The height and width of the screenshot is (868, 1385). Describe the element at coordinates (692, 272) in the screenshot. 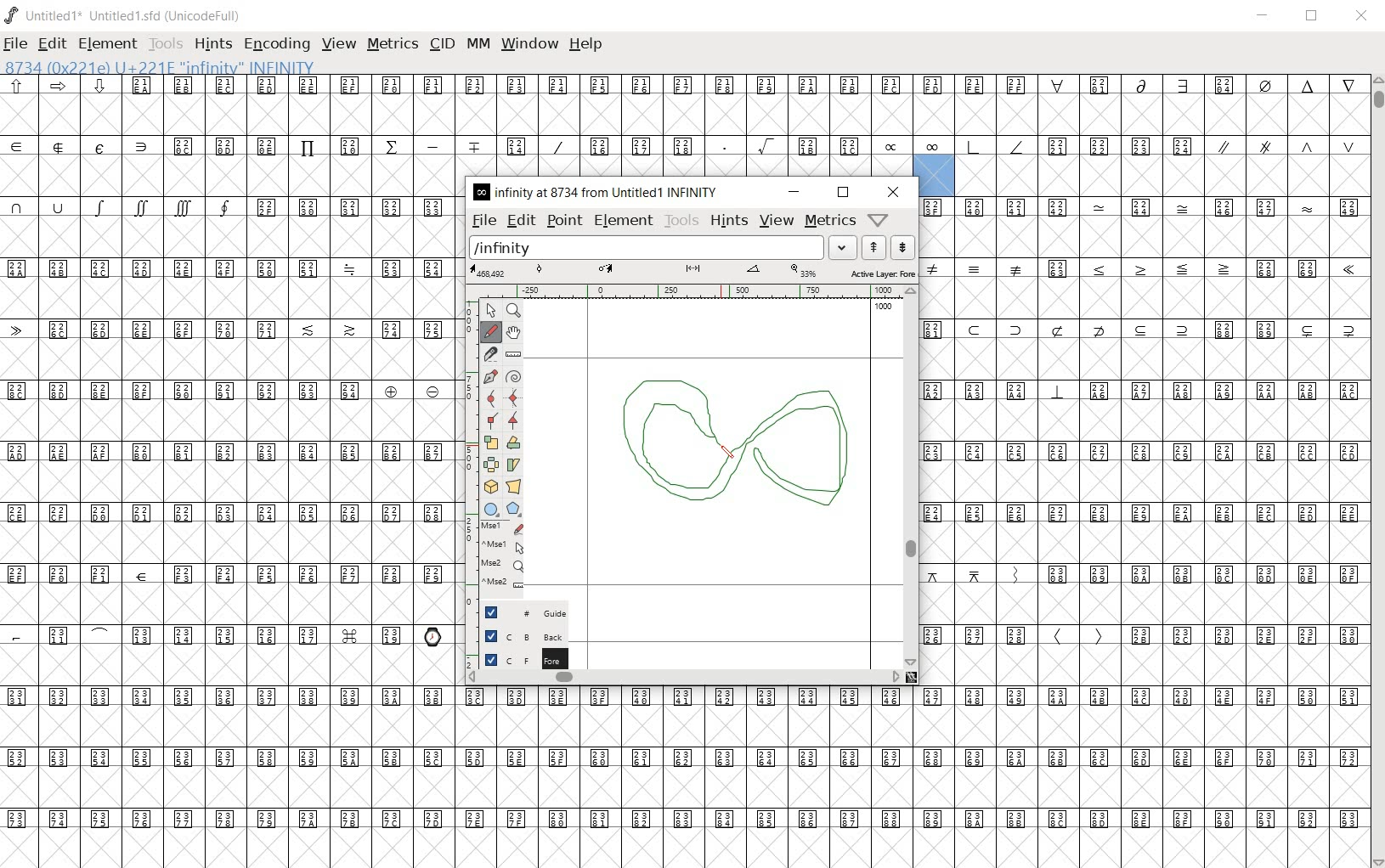

I see `active layer: fore` at that location.